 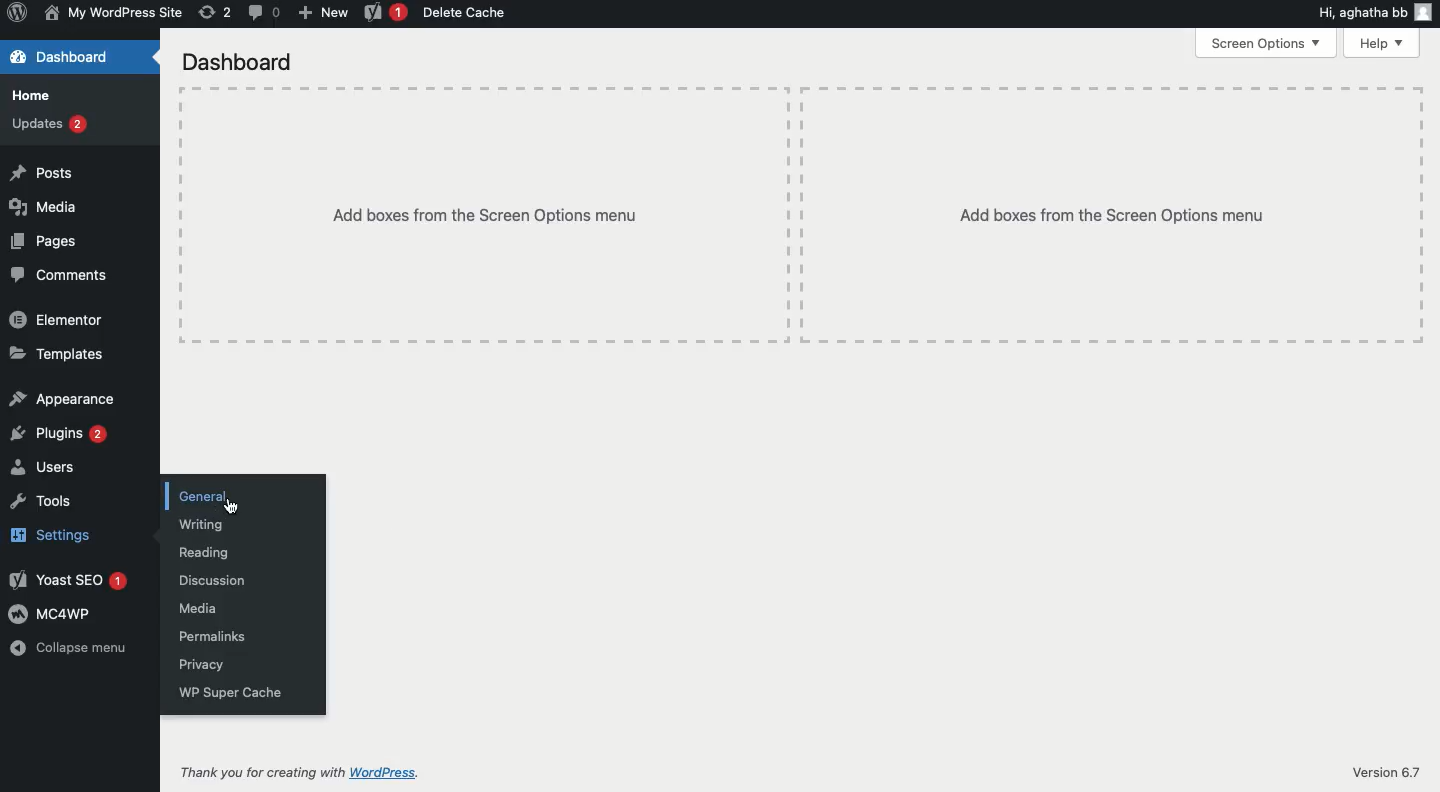 I want to click on Collapse menu, so click(x=70, y=647).